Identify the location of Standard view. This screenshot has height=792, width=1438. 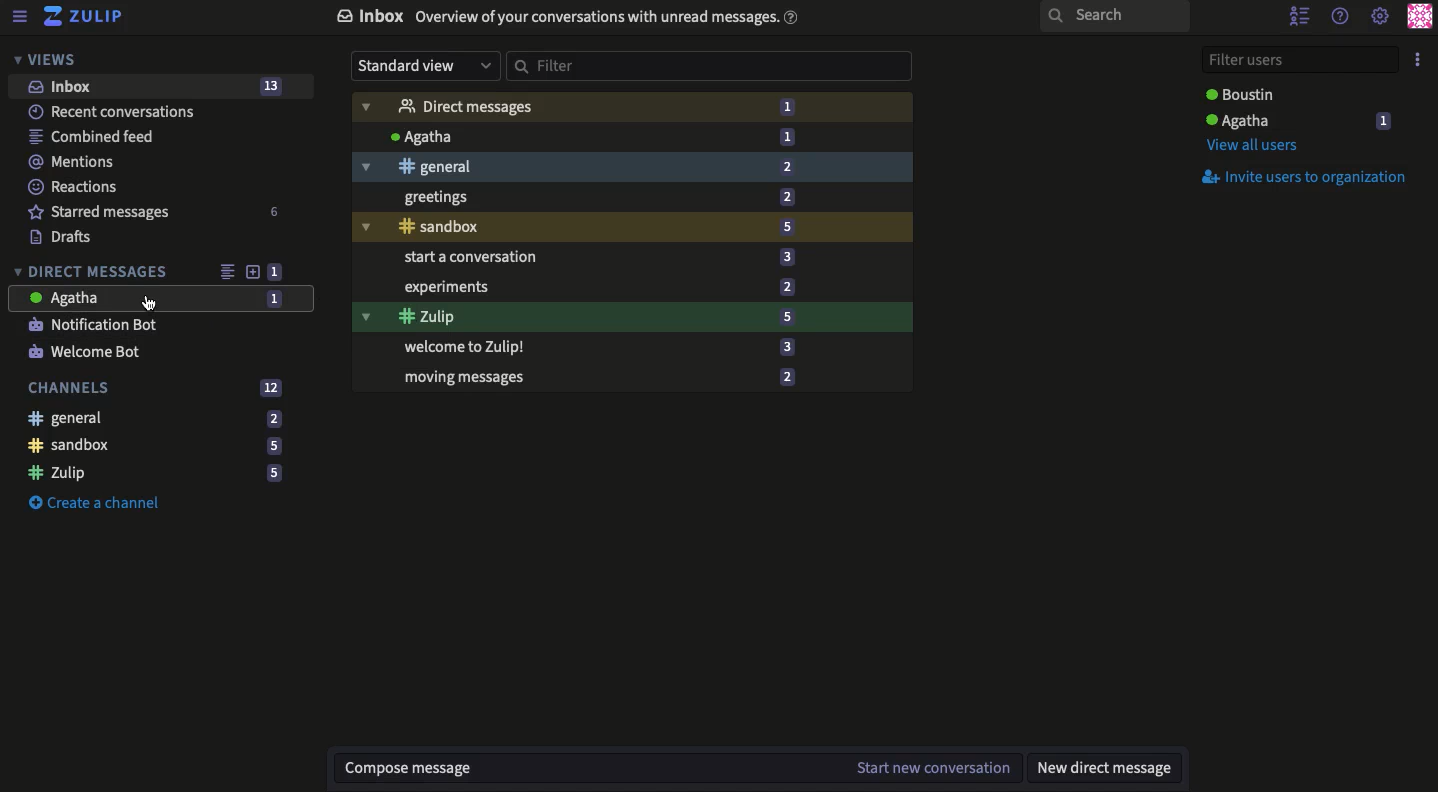
(425, 66).